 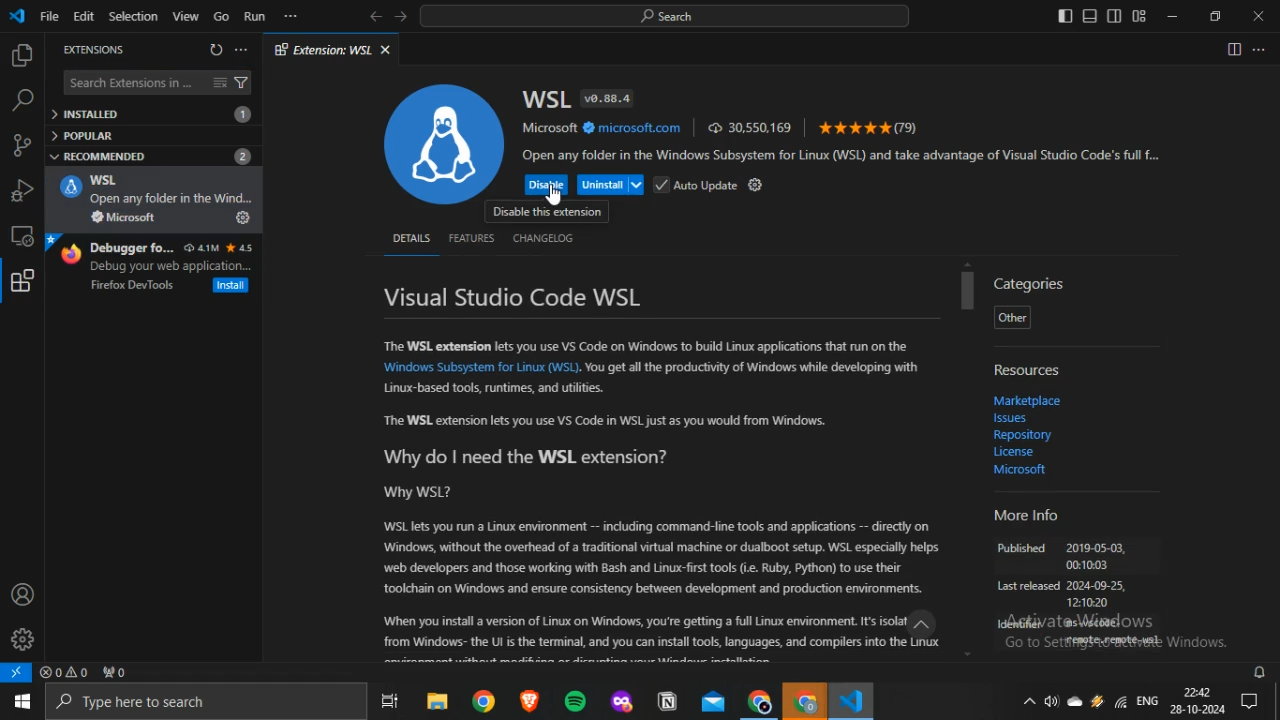 What do you see at coordinates (545, 99) in the screenshot?
I see `WSL` at bounding box center [545, 99].